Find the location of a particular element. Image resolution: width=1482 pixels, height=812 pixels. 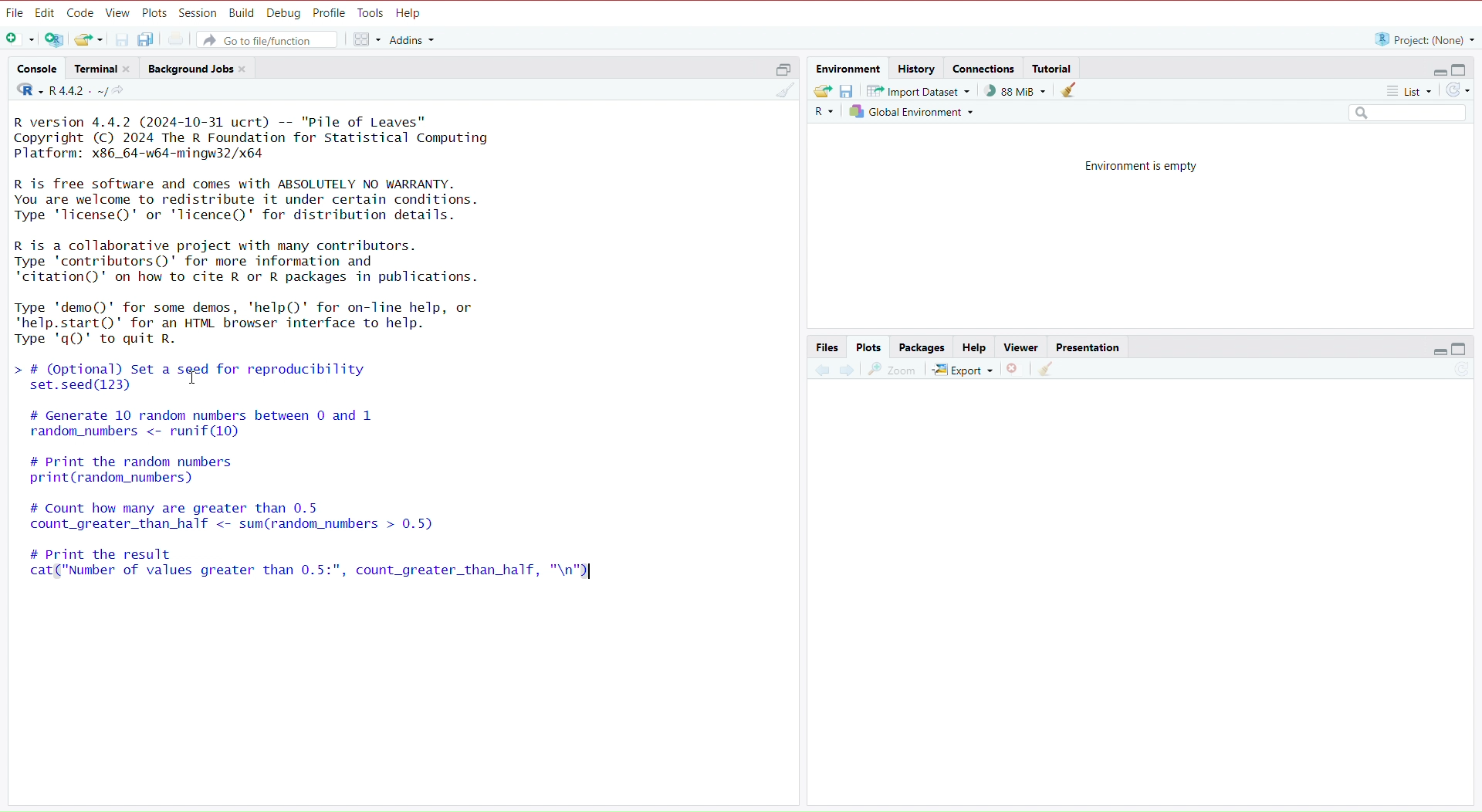

List is located at coordinates (1409, 89).